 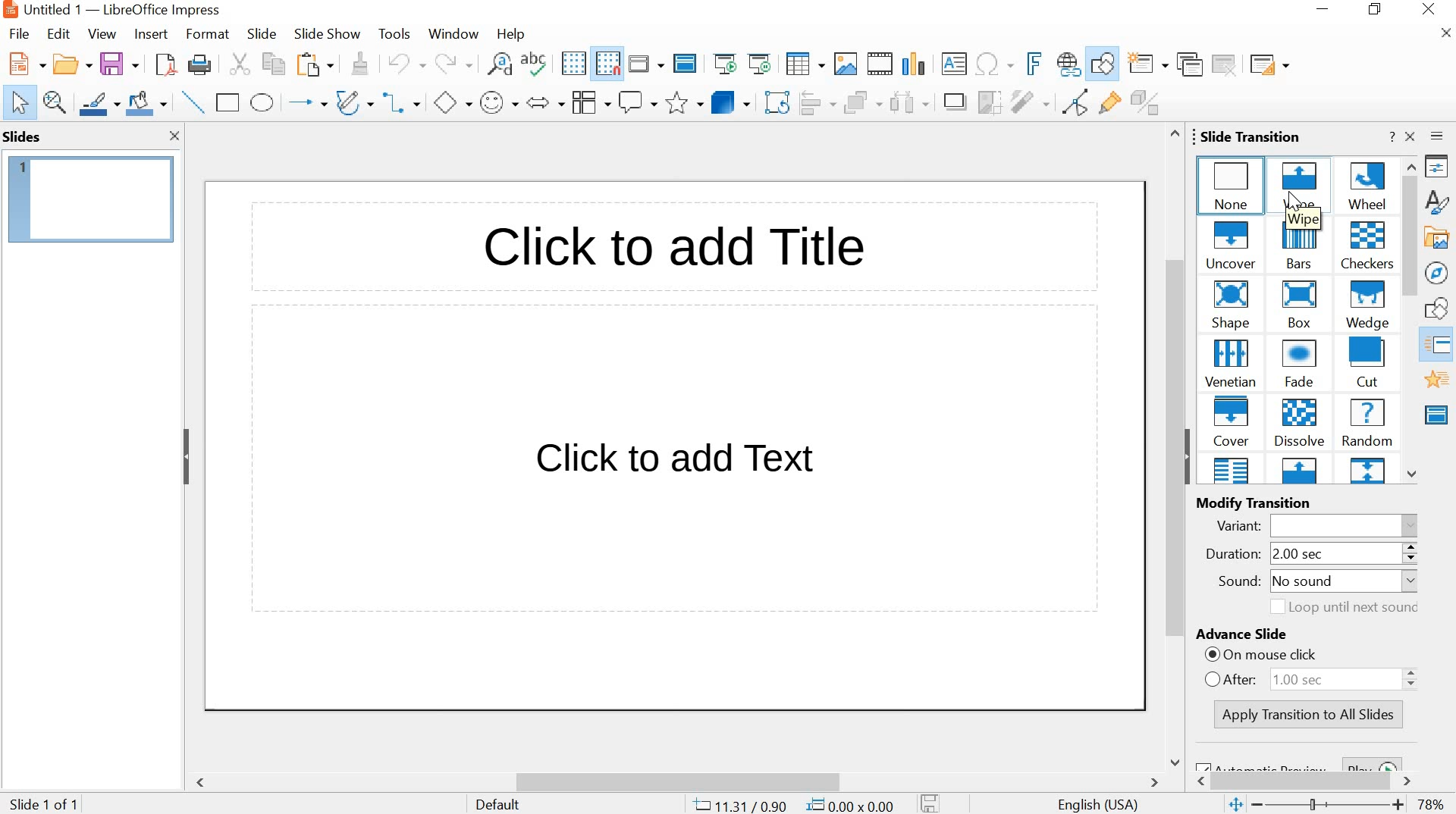 What do you see at coordinates (820, 102) in the screenshot?
I see `Align objects` at bounding box center [820, 102].